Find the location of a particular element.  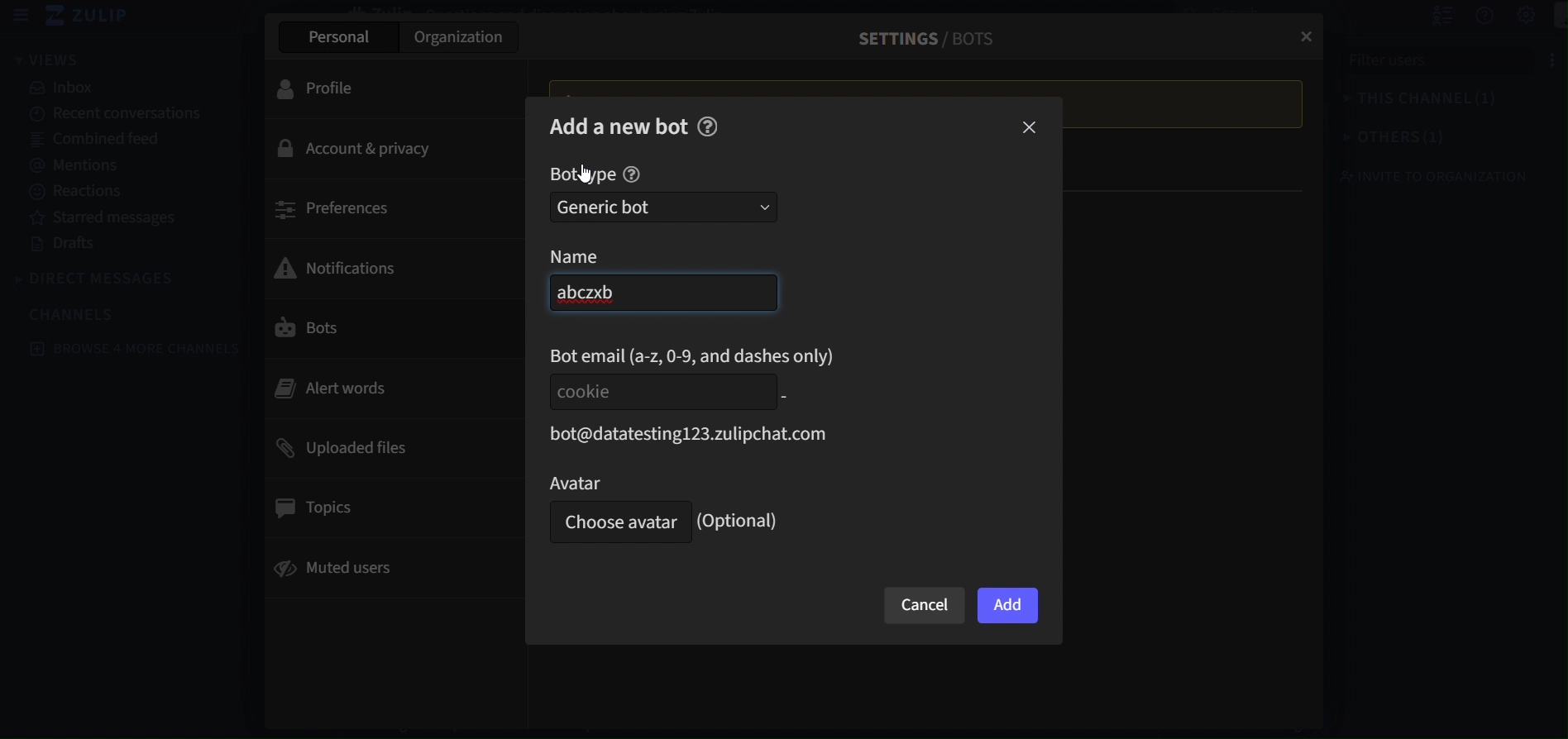

filter users is located at coordinates (1432, 65).